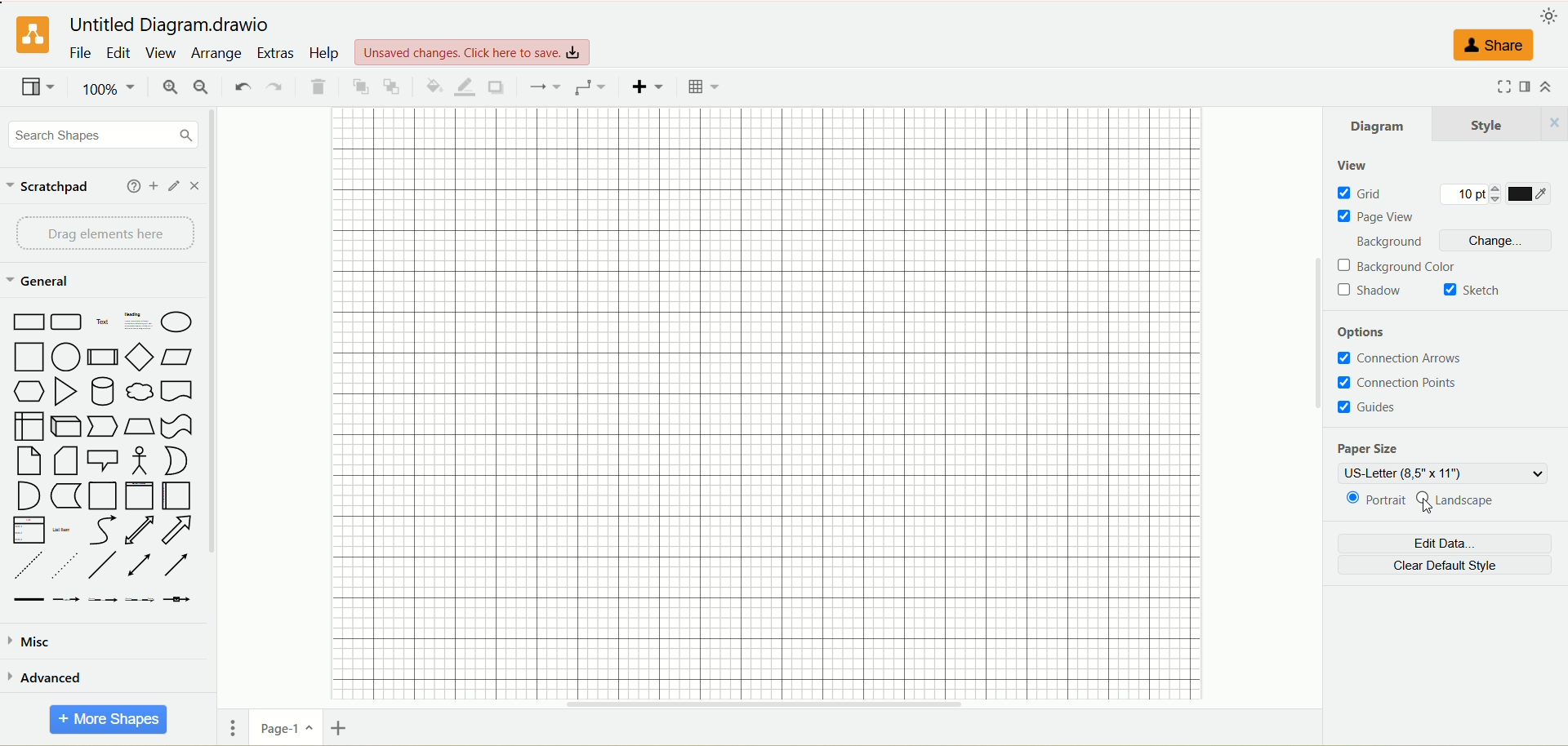  I want to click on share, so click(1492, 46).